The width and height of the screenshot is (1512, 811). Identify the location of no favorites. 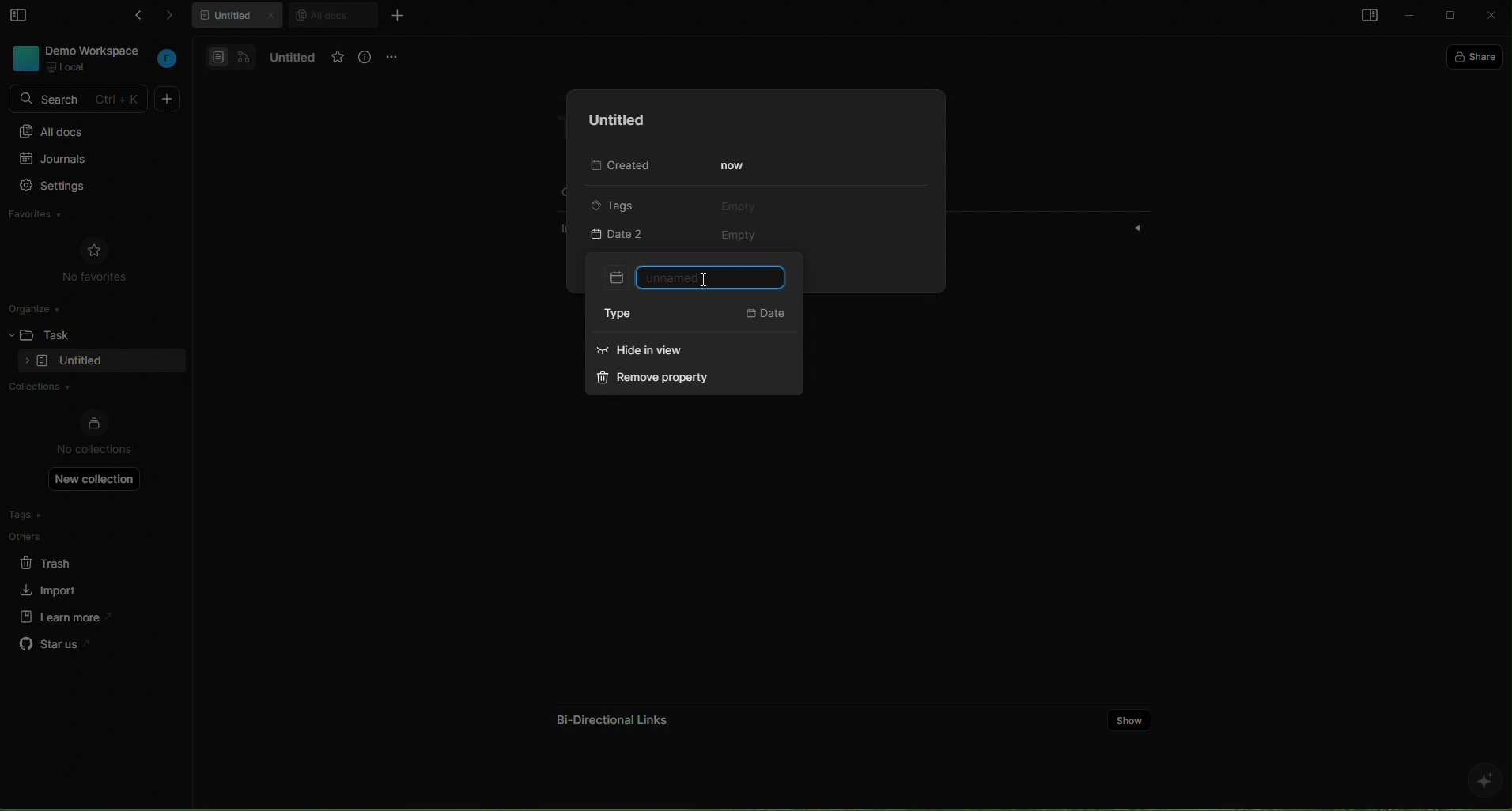
(95, 258).